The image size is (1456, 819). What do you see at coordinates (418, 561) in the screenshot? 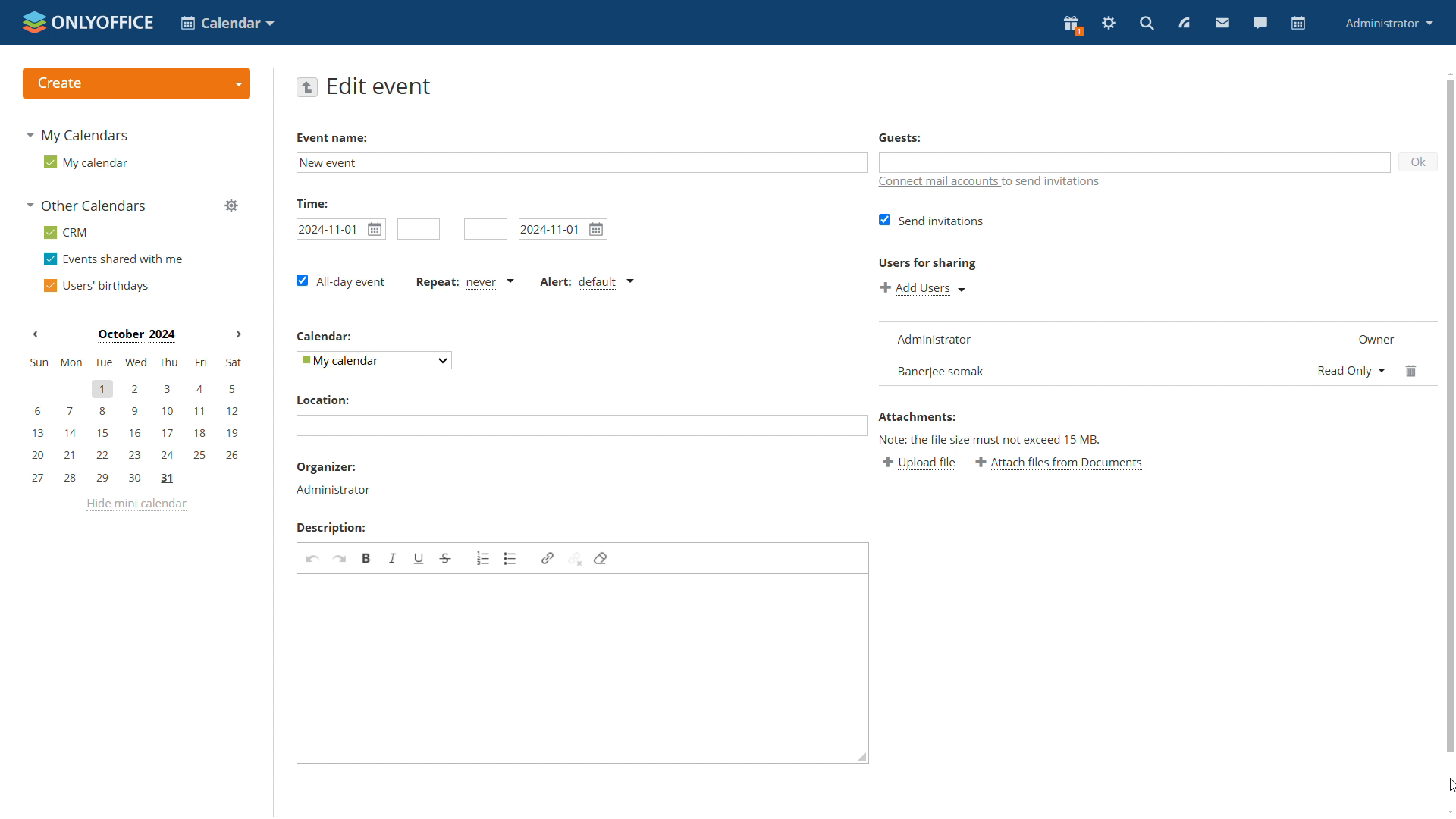
I see `underline` at bounding box center [418, 561].